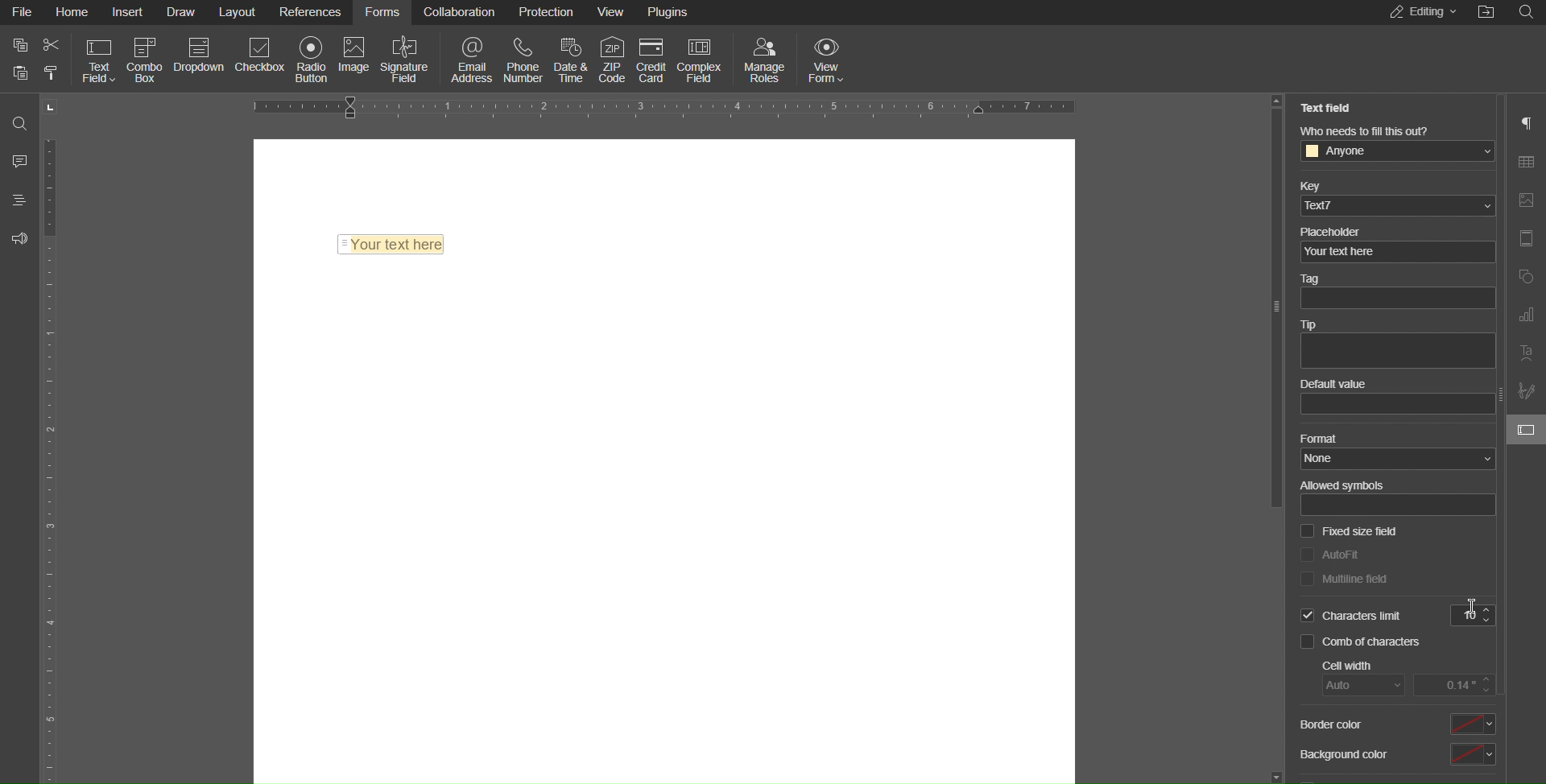  Describe the element at coordinates (1525, 239) in the screenshot. I see `Header/Footer Settings` at that location.